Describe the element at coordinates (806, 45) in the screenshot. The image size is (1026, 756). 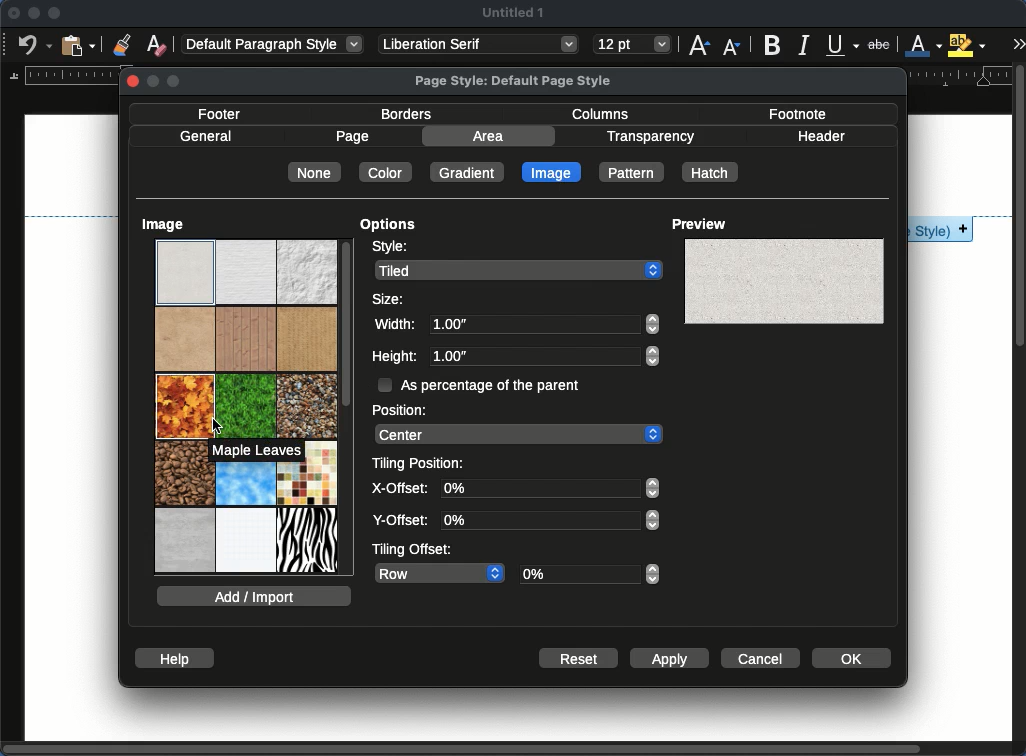
I see `italics` at that location.